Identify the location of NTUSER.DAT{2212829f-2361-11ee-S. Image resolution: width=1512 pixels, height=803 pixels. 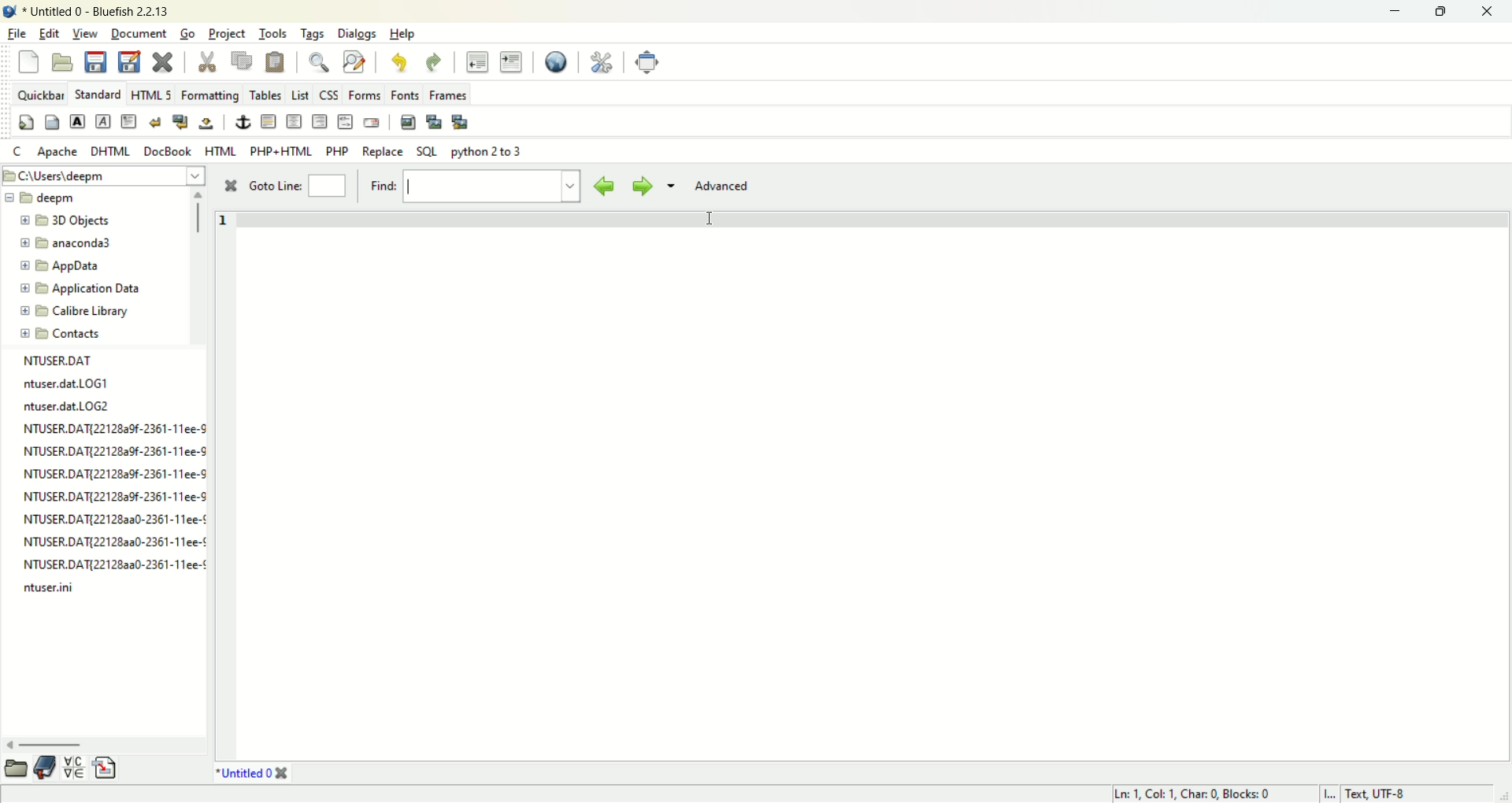
(112, 496).